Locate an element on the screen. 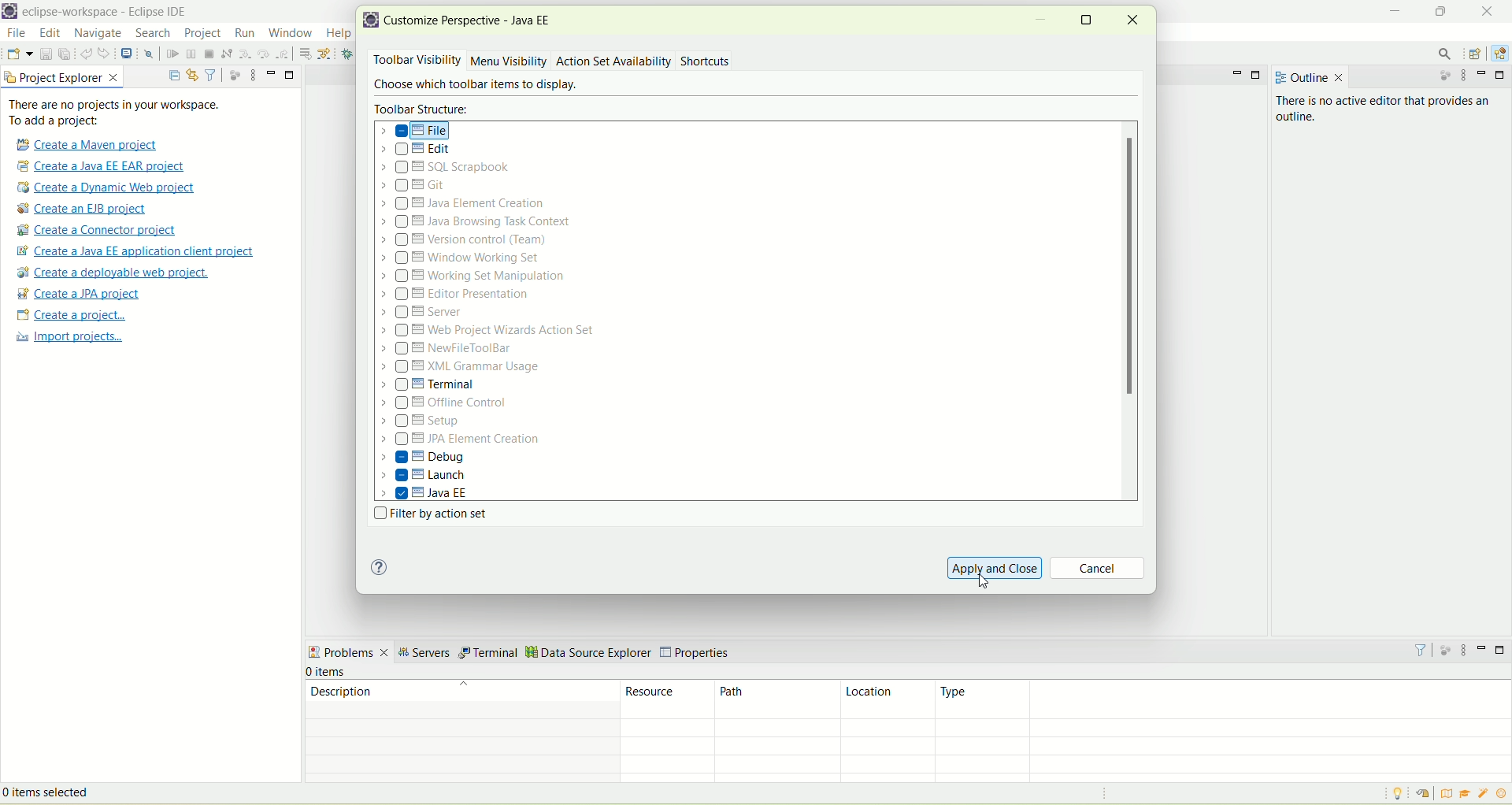 This screenshot has width=1512, height=805. tutorial is located at coordinates (1466, 793).